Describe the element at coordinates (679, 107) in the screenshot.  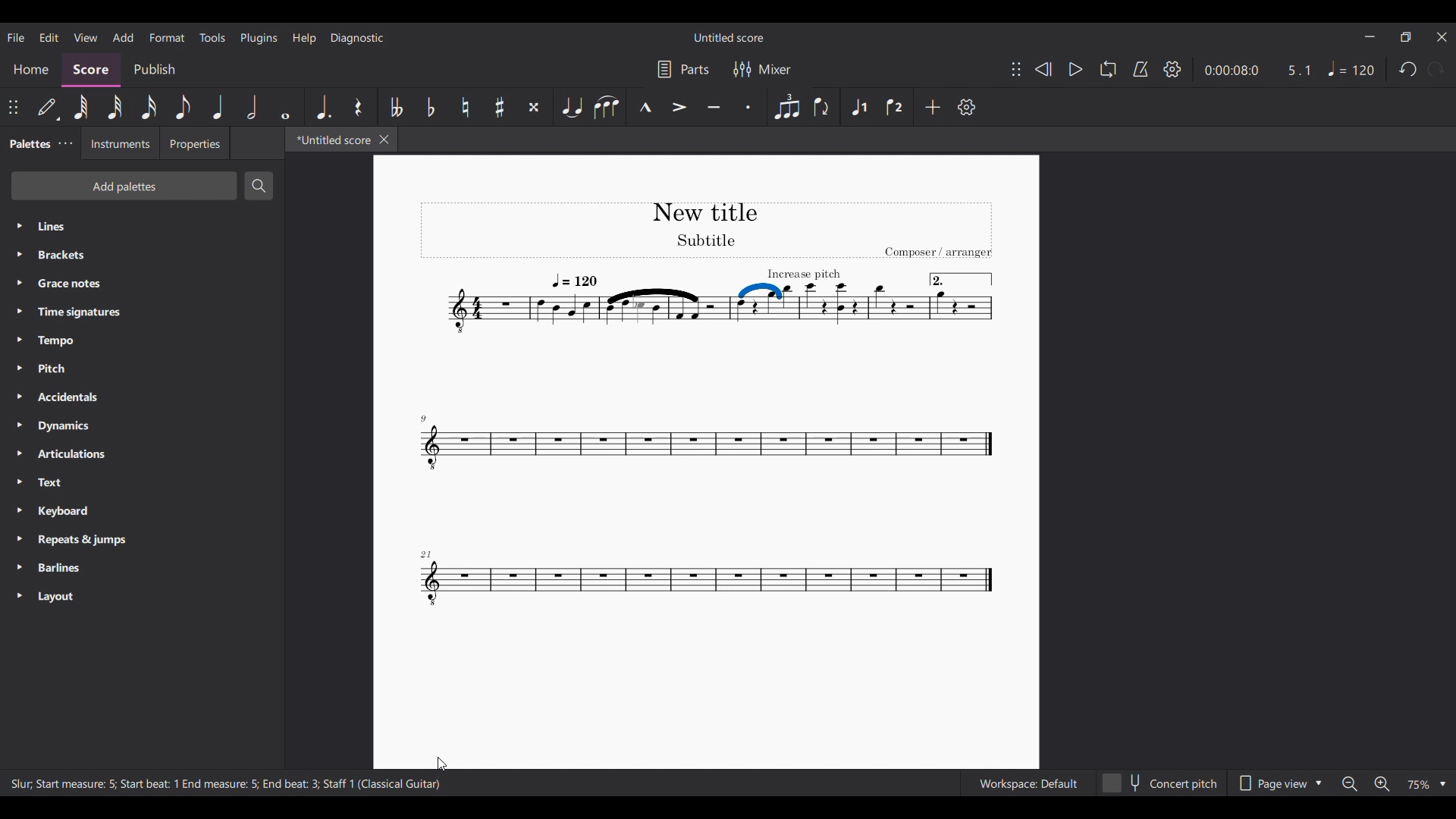
I see `Accent` at that location.